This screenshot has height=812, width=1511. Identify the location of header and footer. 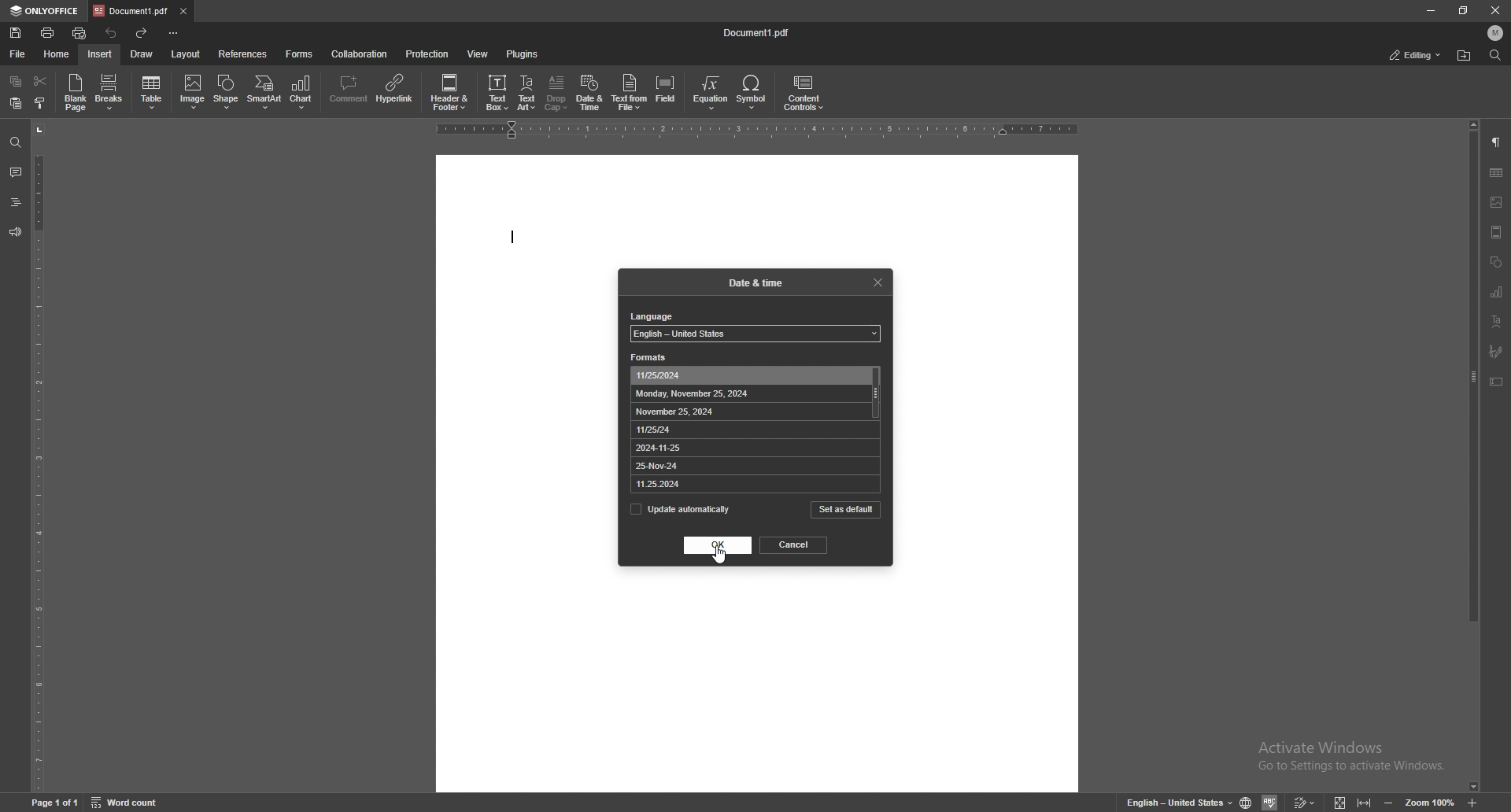
(452, 94).